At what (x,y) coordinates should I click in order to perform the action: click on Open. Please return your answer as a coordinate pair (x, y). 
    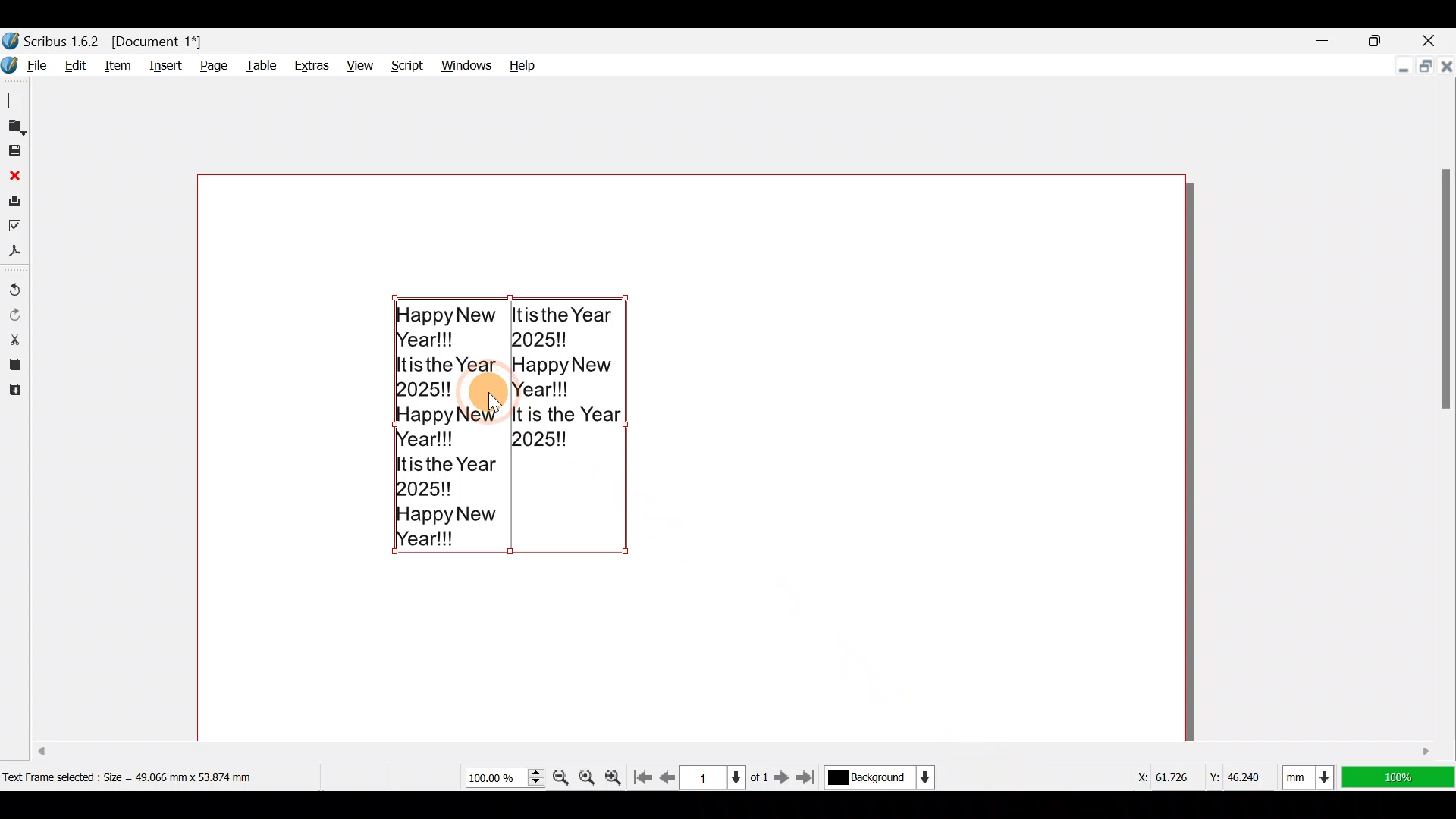
    Looking at the image, I should click on (17, 127).